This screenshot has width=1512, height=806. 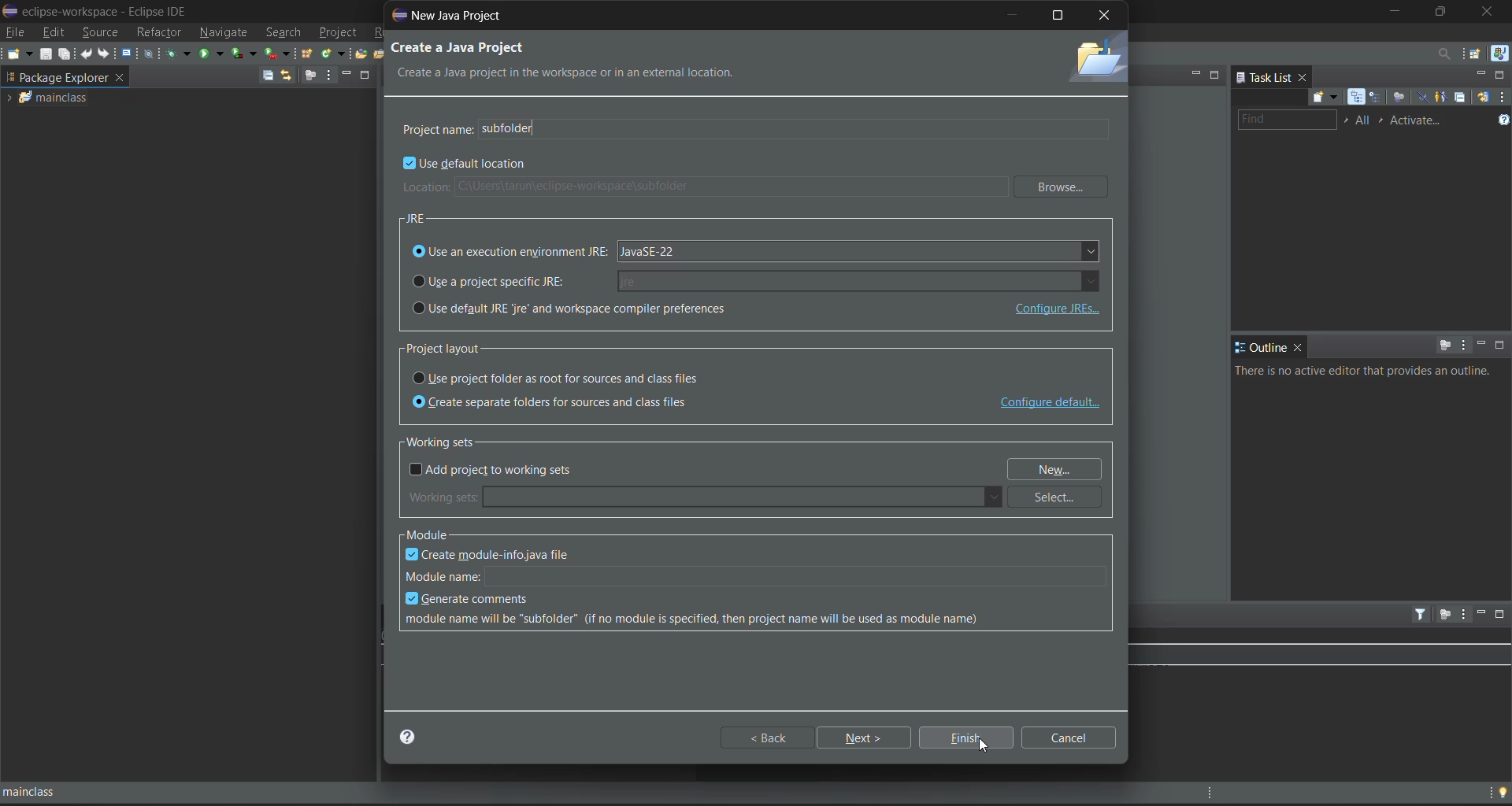 I want to click on new, so click(x=1059, y=469).